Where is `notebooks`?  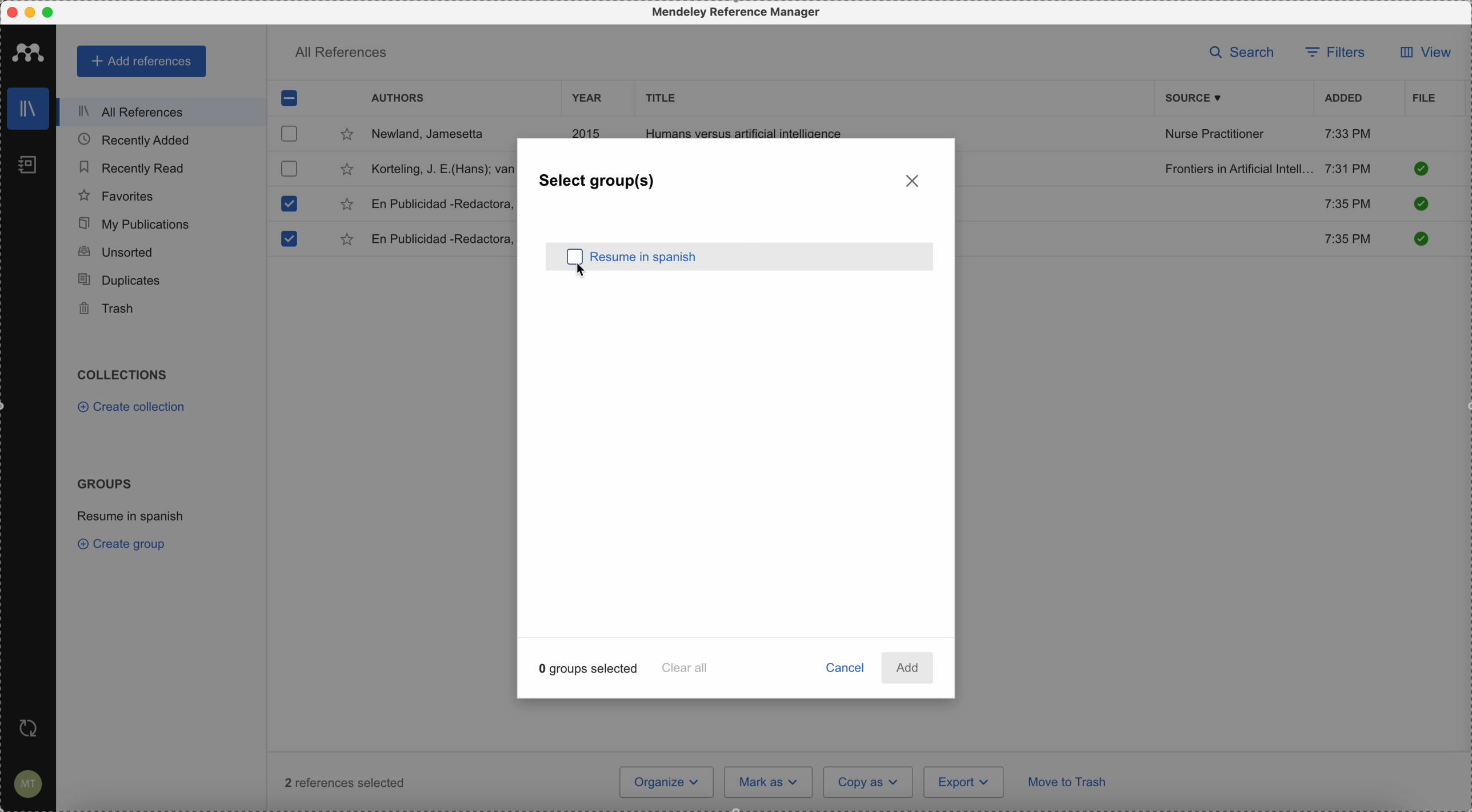
notebooks is located at coordinates (30, 168).